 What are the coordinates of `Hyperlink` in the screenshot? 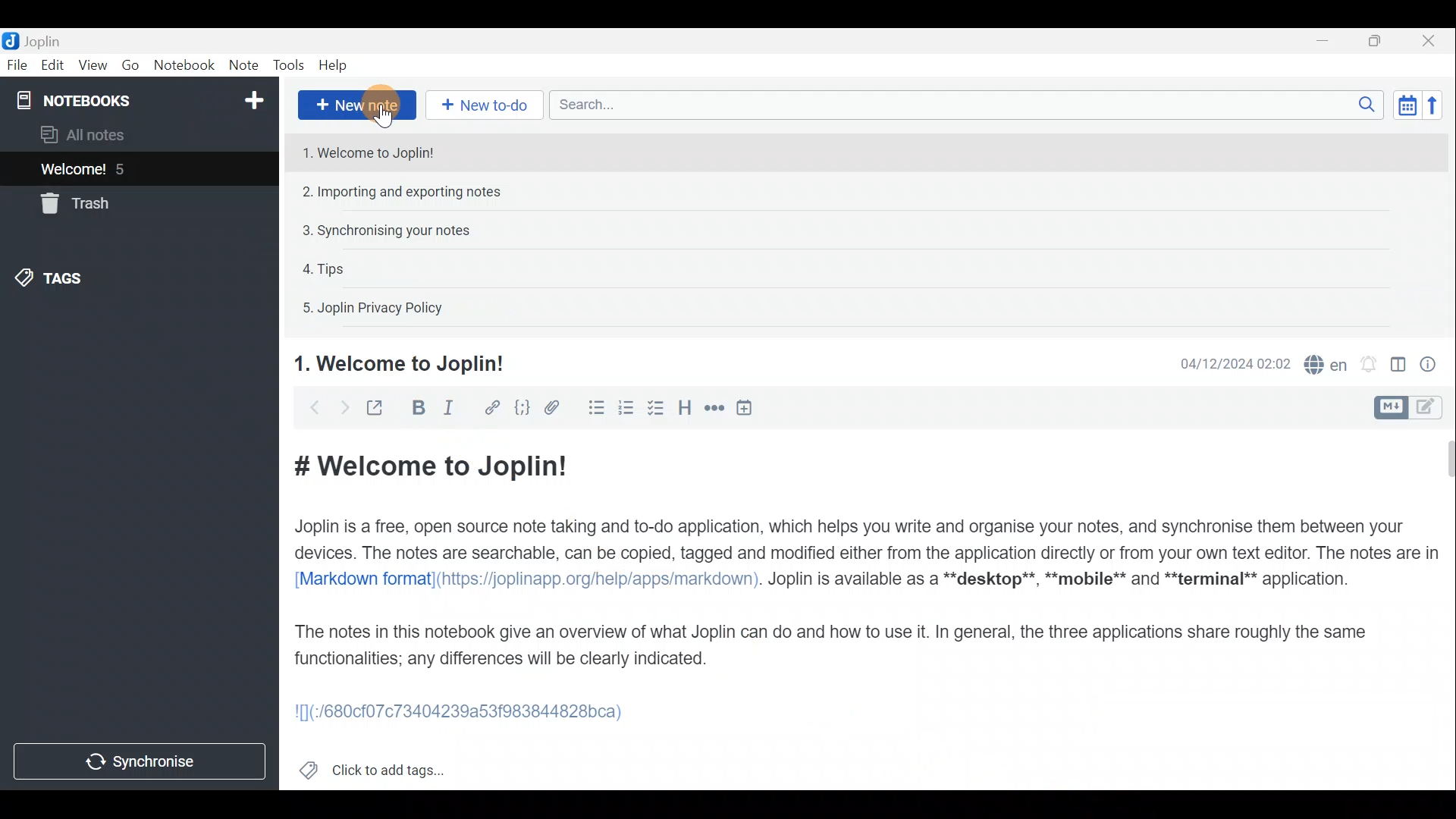 It's located at (494, 407).